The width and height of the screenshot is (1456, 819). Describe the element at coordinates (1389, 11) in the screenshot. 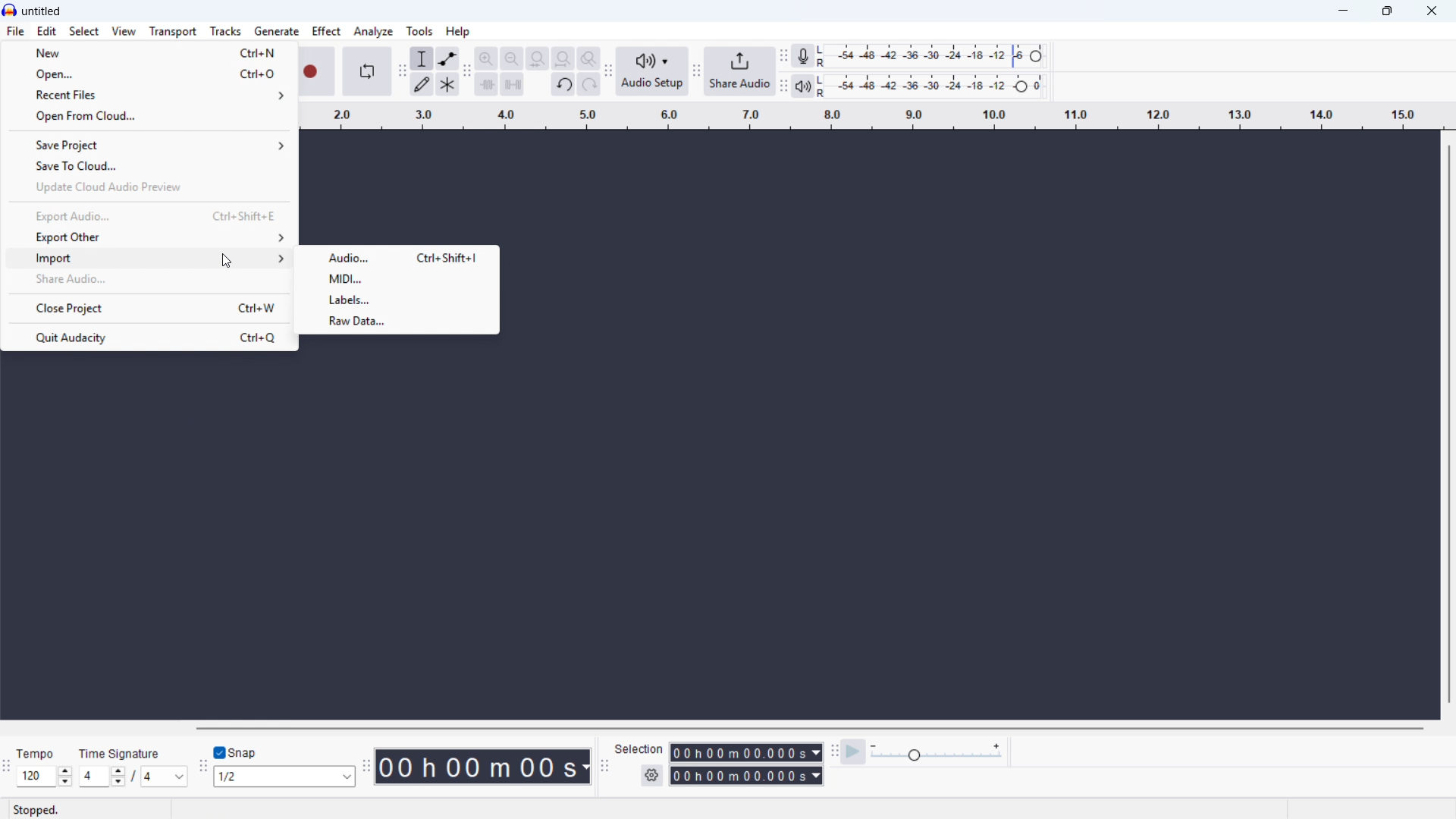

I see `maximise` at that location.